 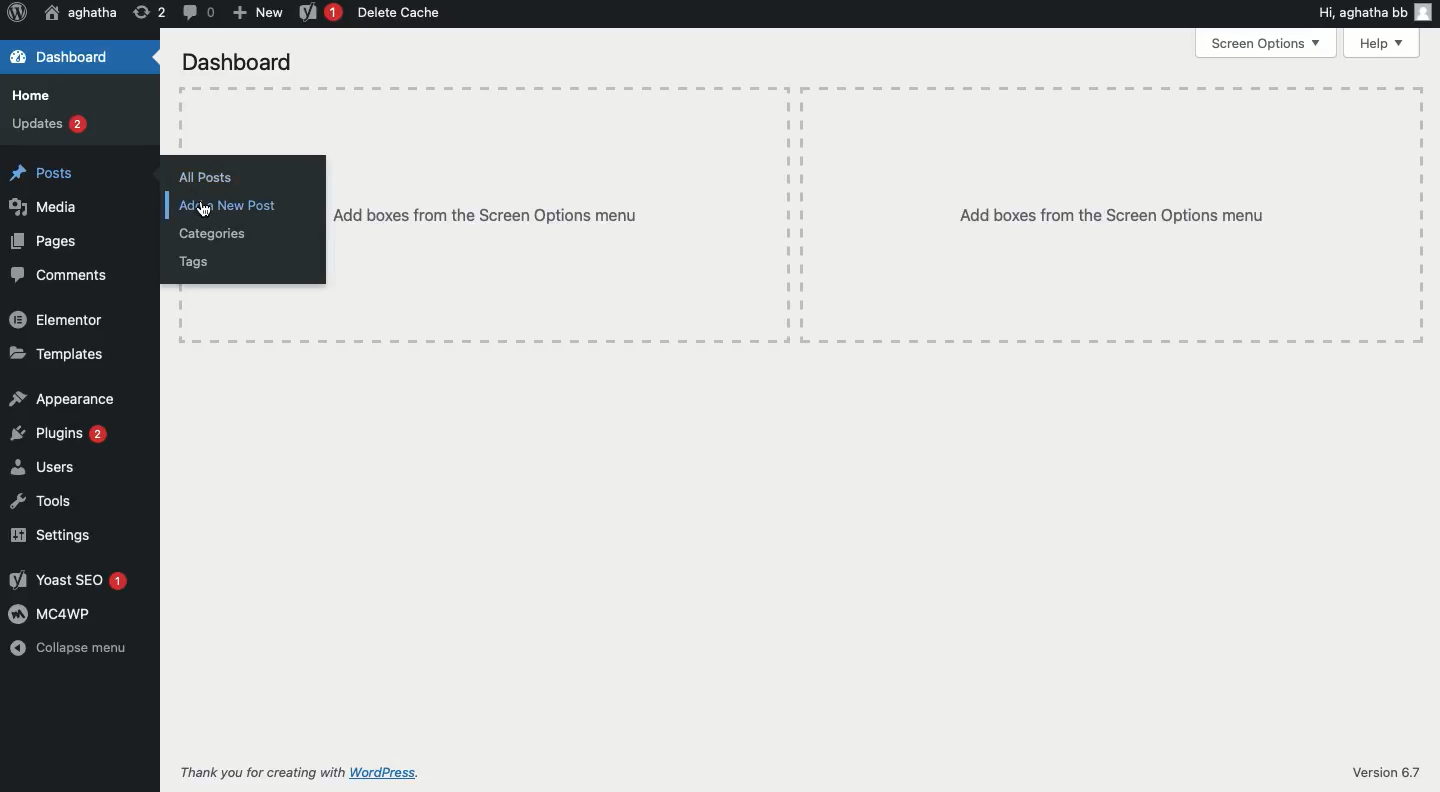 I want to click on Yoast, so click(x=320, y=13).